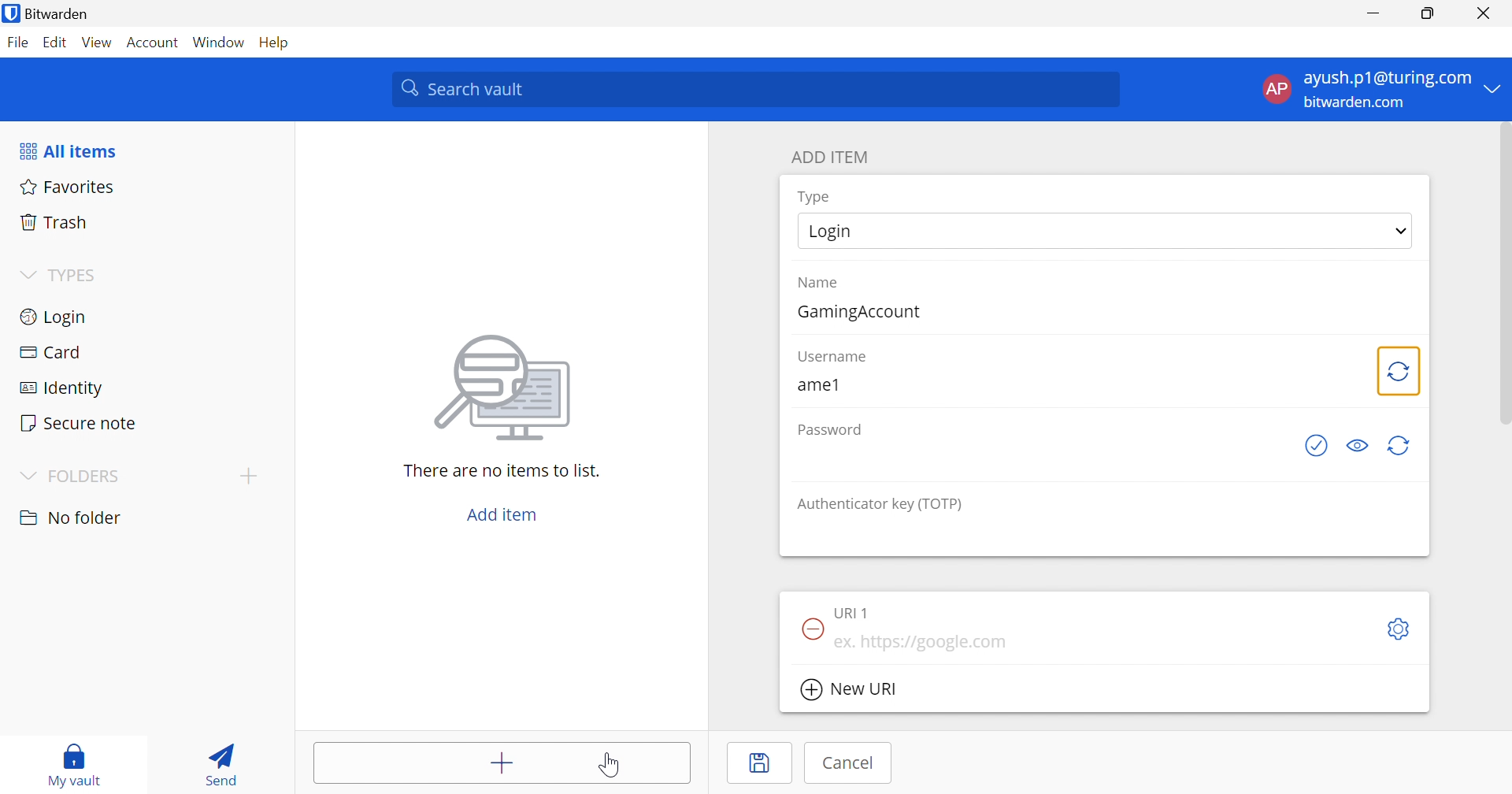 Image resolution: width=1512 pixels, height=794 pixels. I want to click on Generate password, so click(1319, 447).